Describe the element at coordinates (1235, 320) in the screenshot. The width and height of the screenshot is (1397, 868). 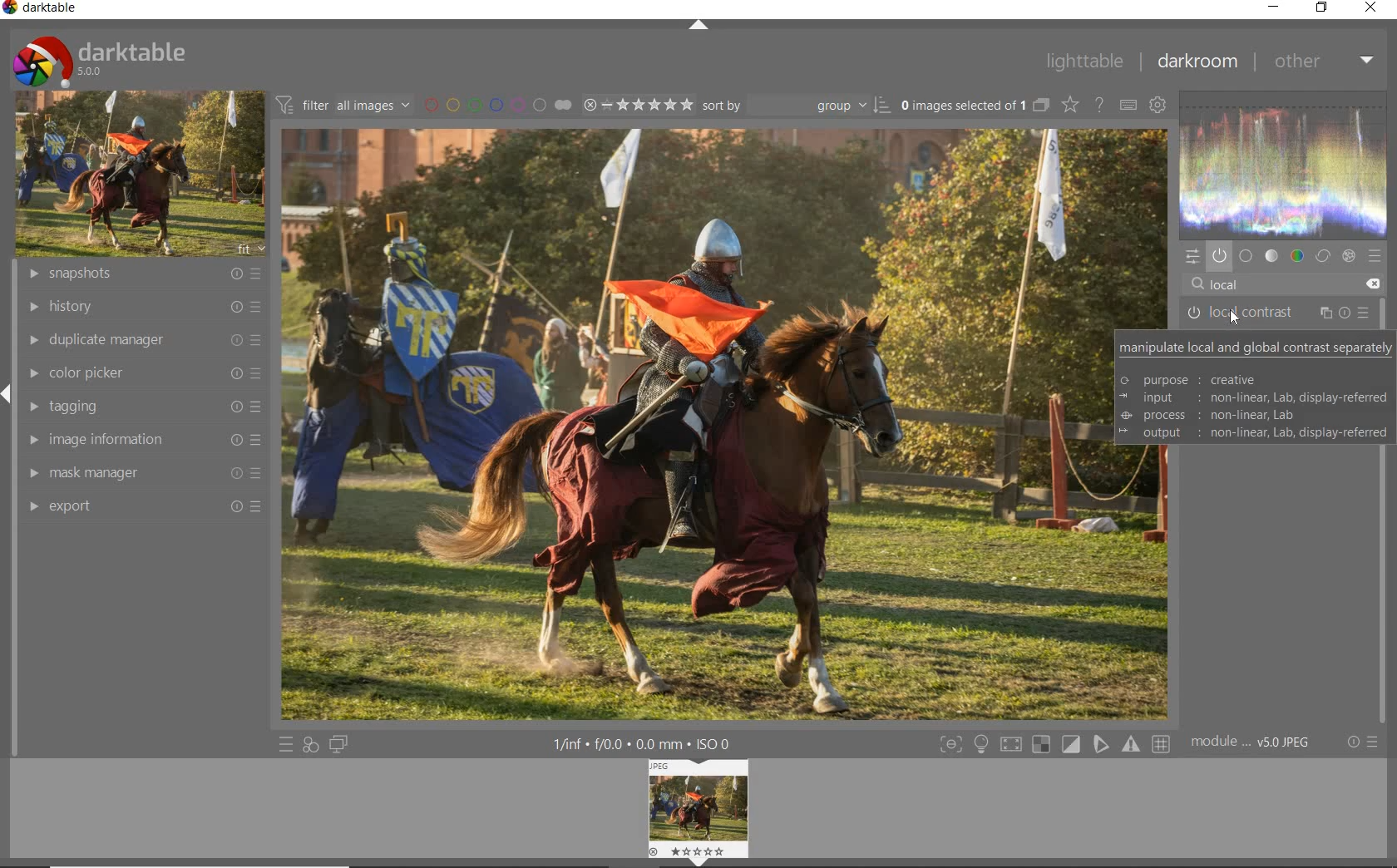
I see `SEARCH` at that location.